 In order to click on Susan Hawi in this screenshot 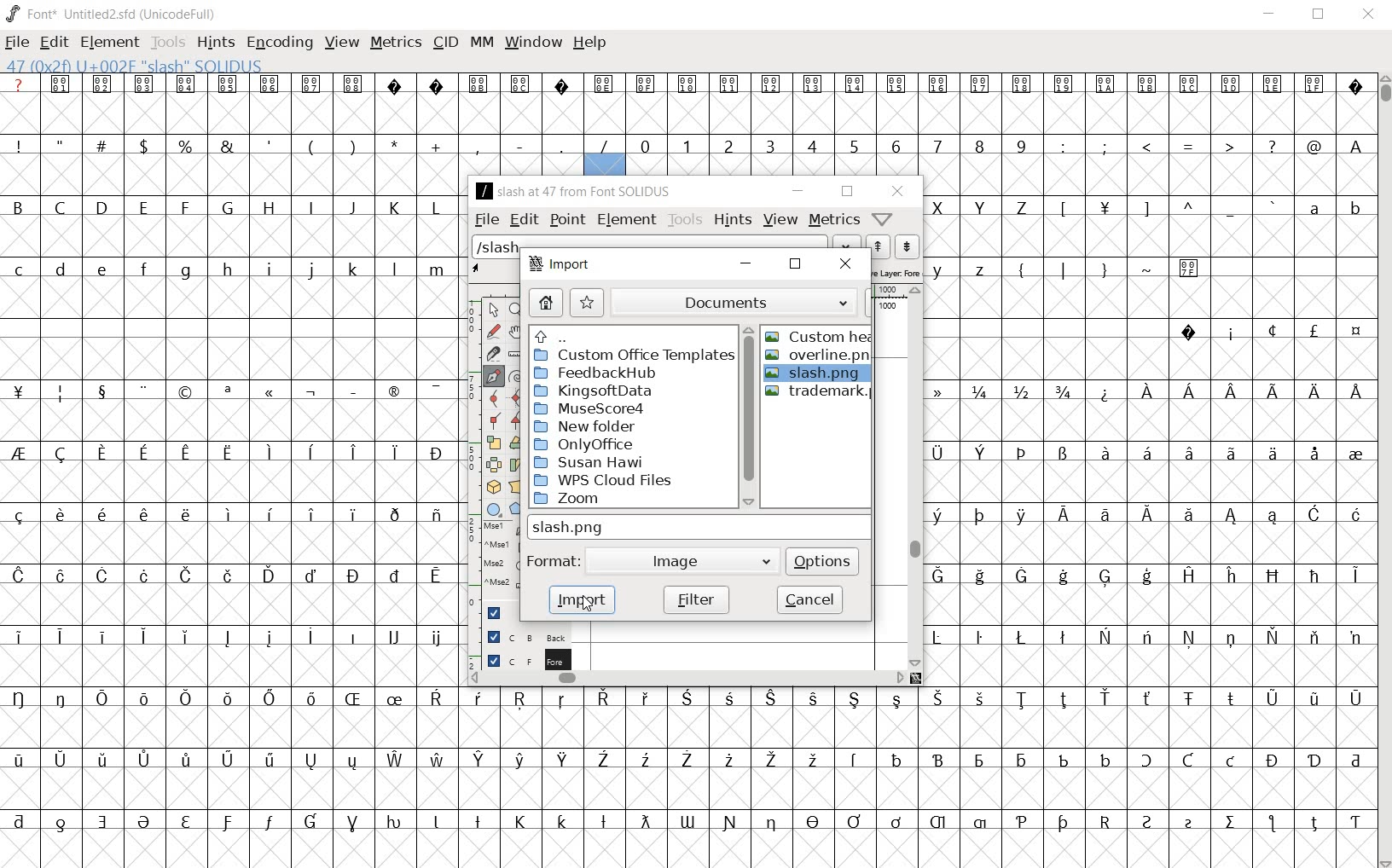, I will do `click(589, 463)`.